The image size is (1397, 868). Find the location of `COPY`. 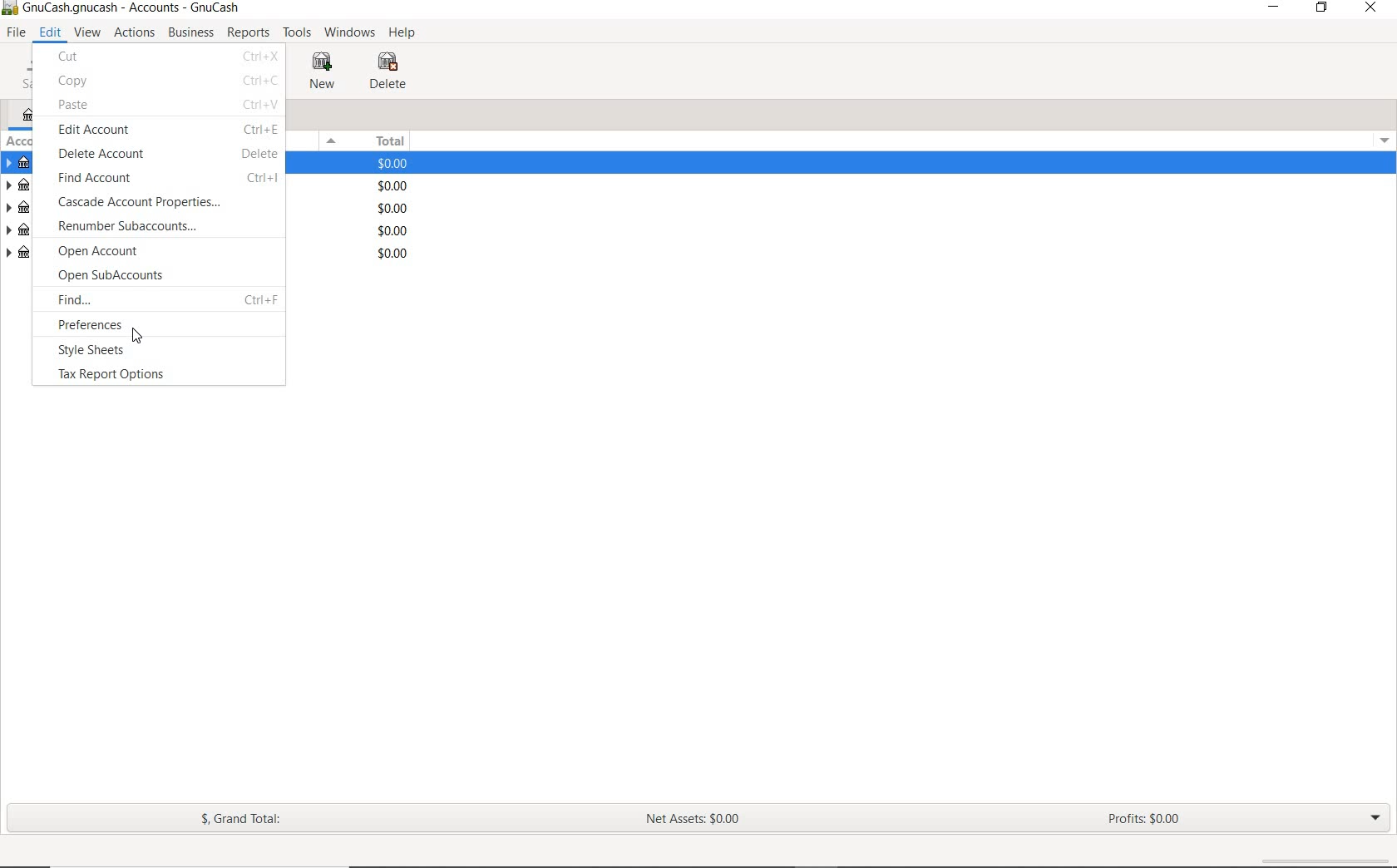

COPY is located at coordinates (168, 81).